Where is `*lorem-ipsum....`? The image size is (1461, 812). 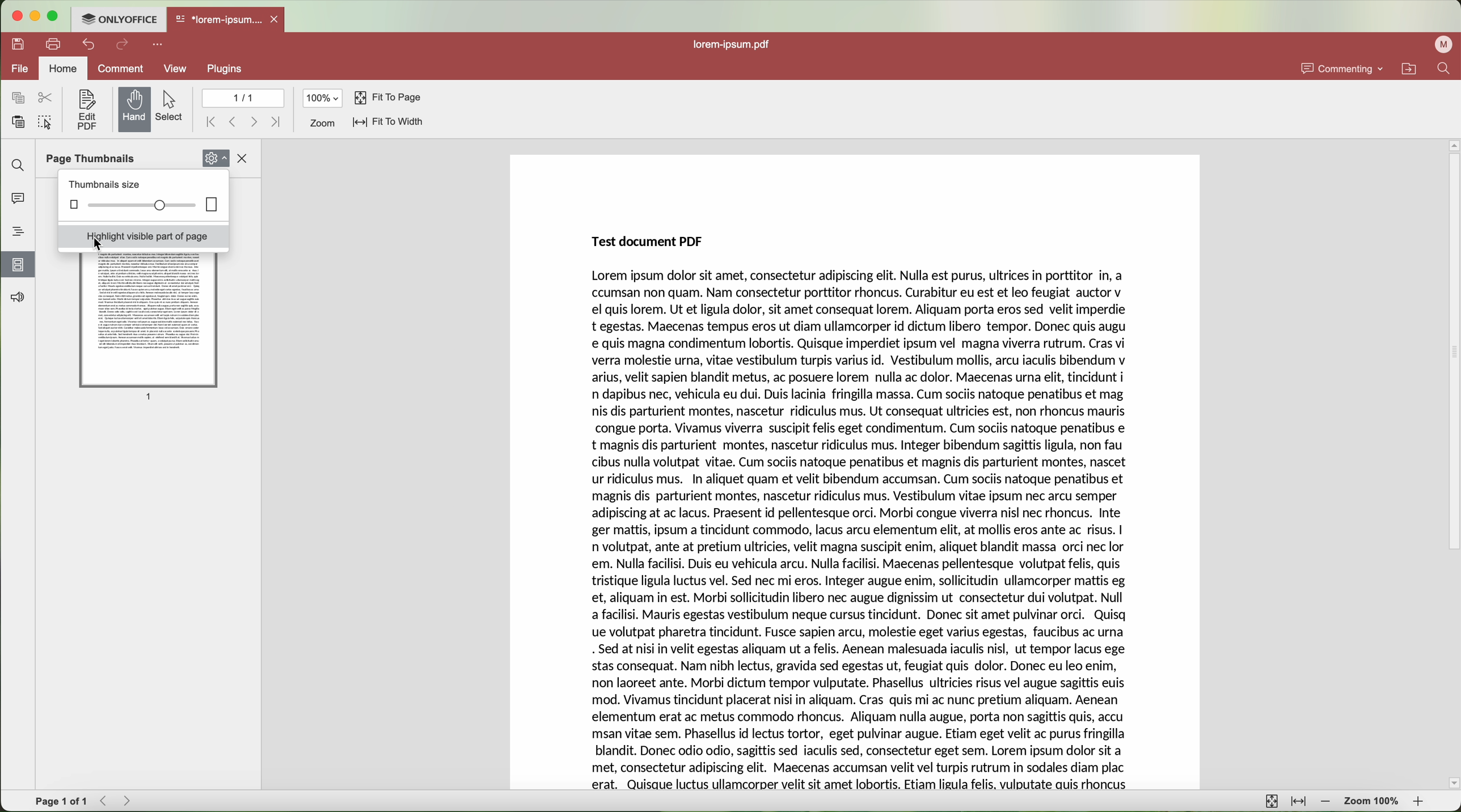
*lorem-ipsum.... is located at coordinates (219, 18).